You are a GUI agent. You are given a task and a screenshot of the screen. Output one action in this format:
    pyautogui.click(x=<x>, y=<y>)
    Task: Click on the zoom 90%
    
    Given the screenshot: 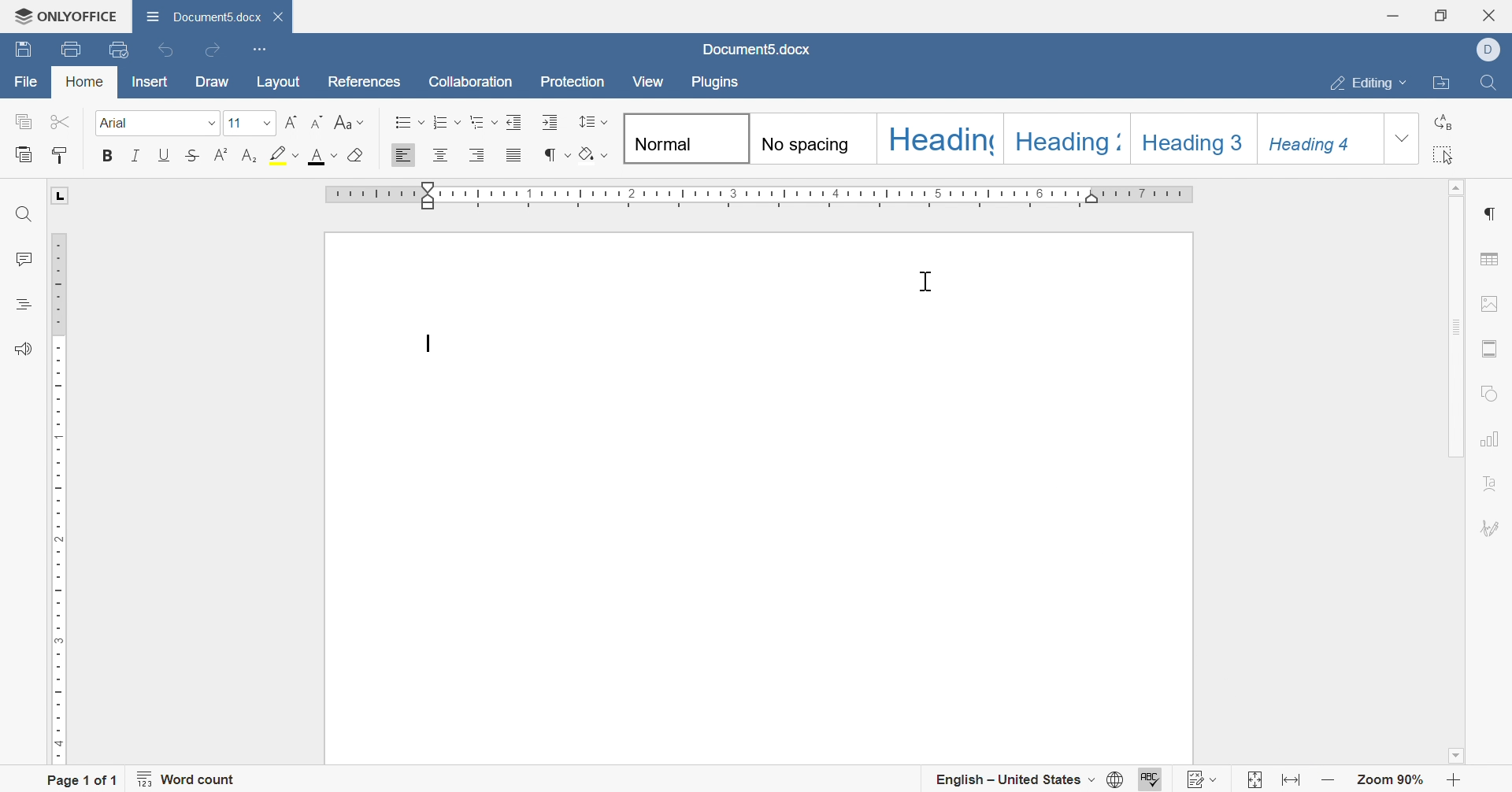 What is the action you would take?
    pyautogui.click(x=1392, y=781)
    